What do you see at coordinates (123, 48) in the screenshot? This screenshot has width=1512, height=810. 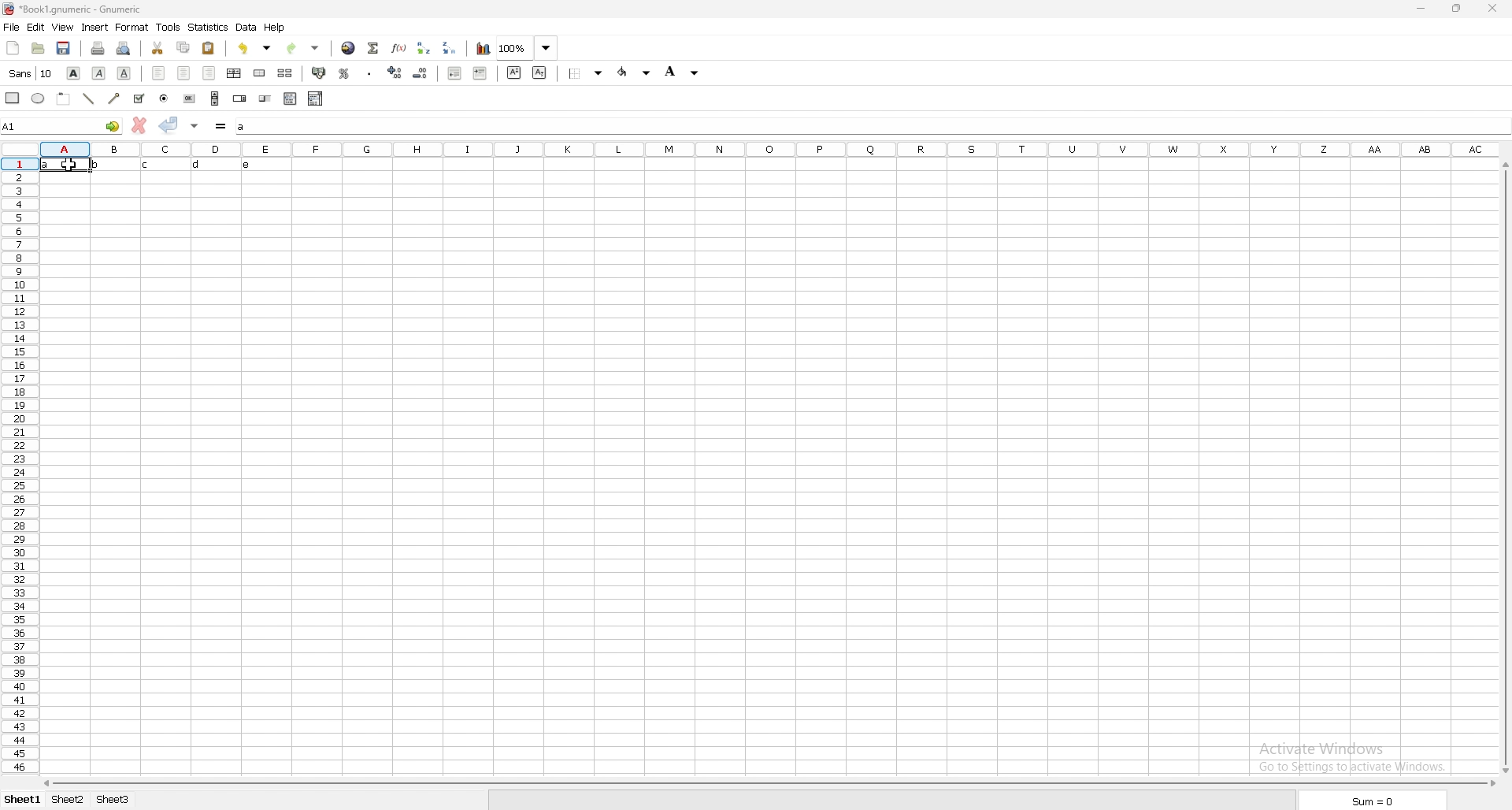 I see `print preview` at bounding box center [123, 48].